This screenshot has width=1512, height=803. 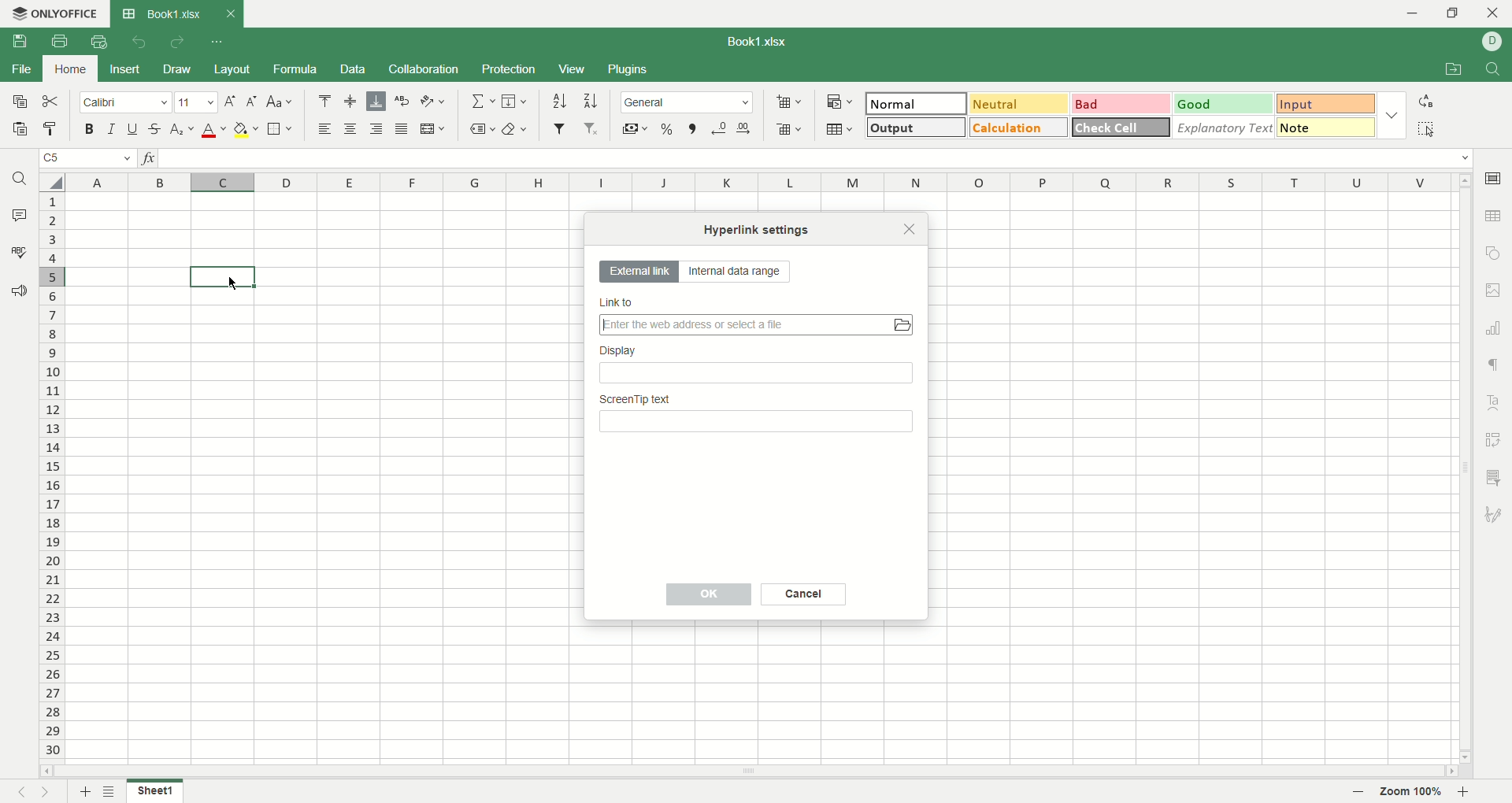 What do you see at coordinates (1450, 71) in the screenshot?
I see `open file location` at bounding box center [1450, 71].